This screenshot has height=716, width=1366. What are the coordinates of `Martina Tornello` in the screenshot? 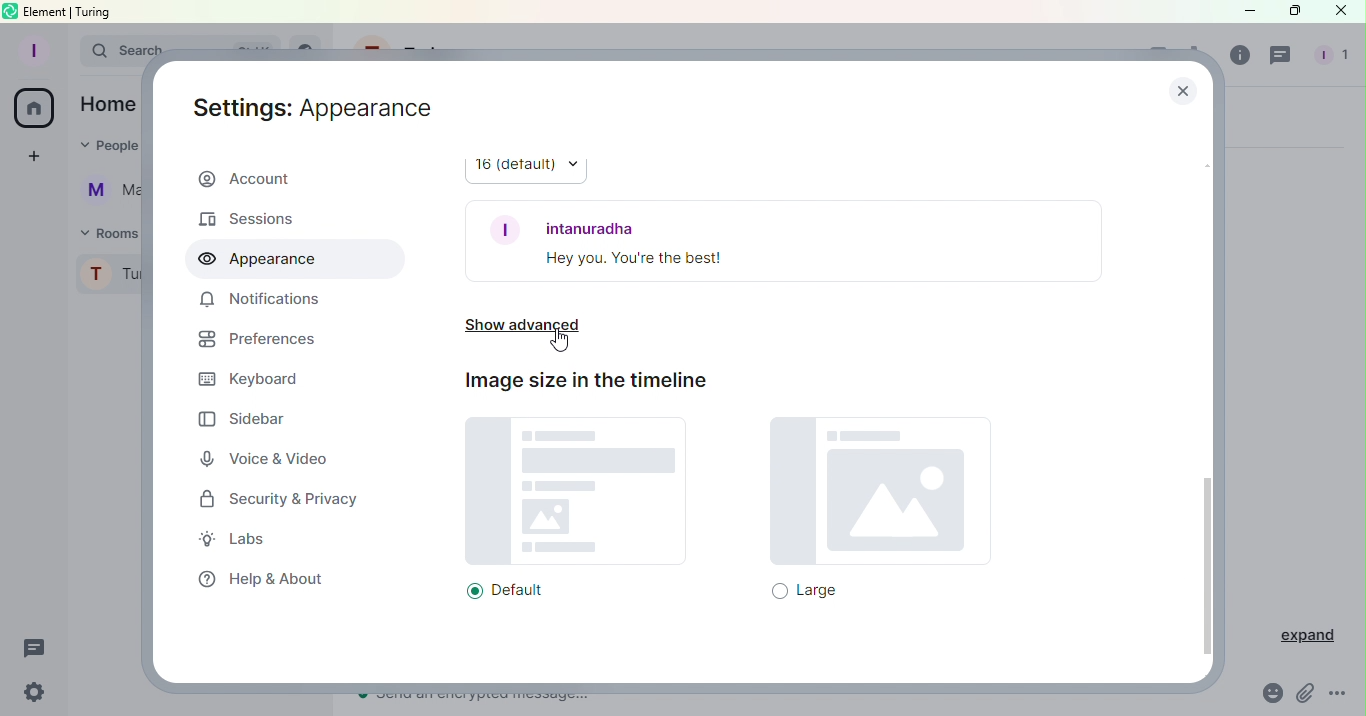 It's located at (106, 192).